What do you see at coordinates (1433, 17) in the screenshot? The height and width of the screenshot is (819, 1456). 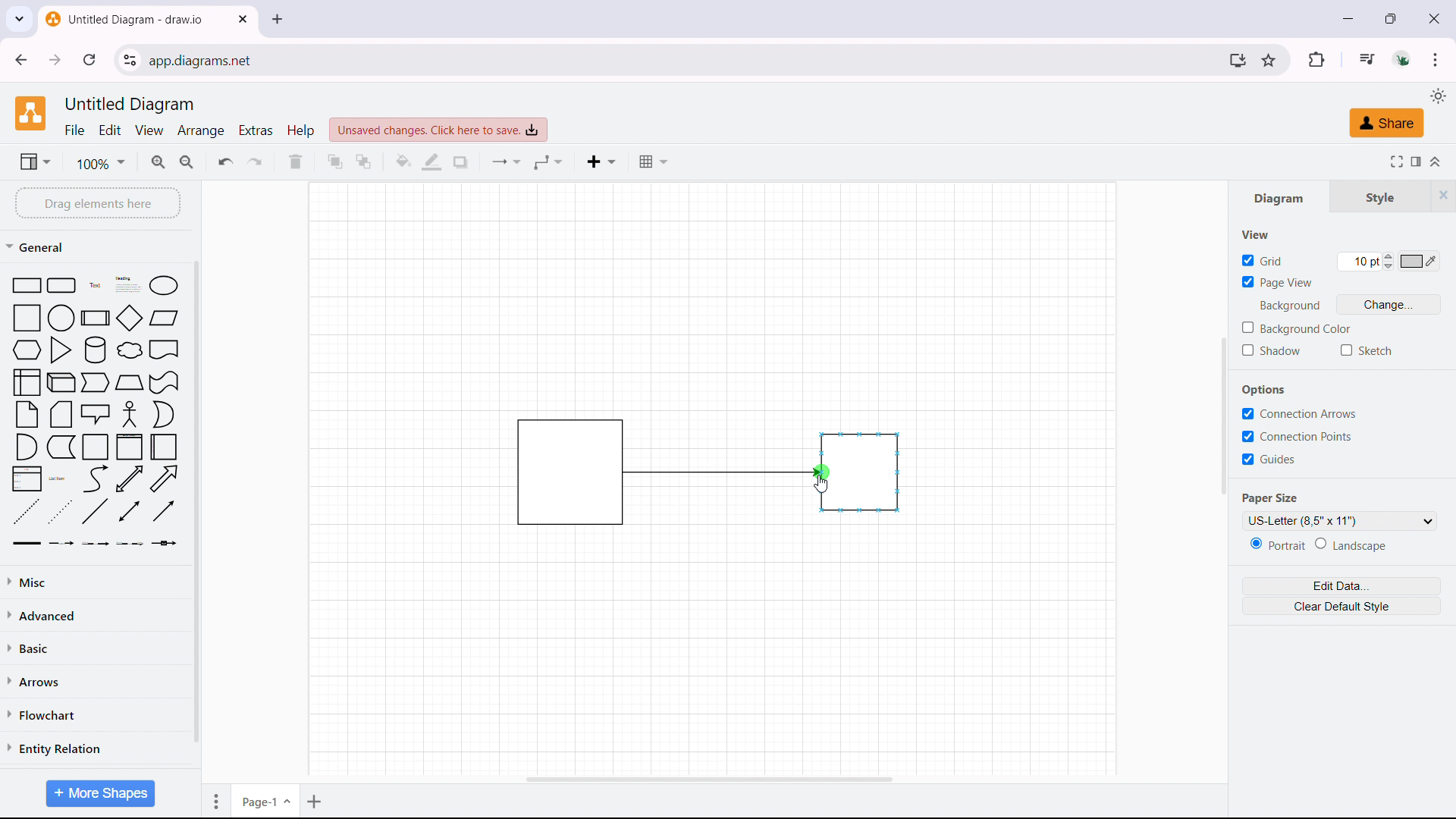 I see `close` at bounding box center [1433, 17].